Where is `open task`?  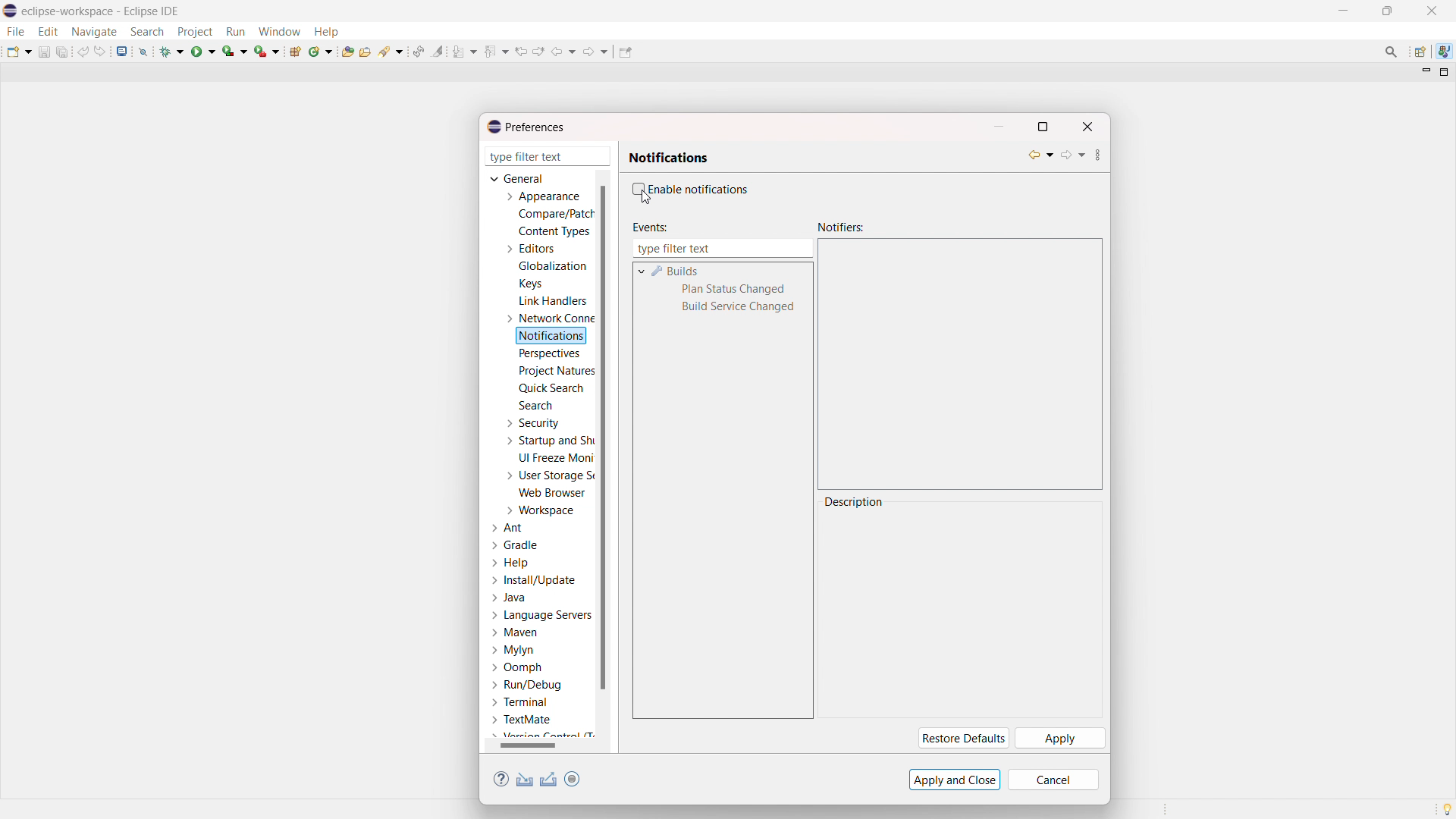
open task is located at coordinates (367, 50).